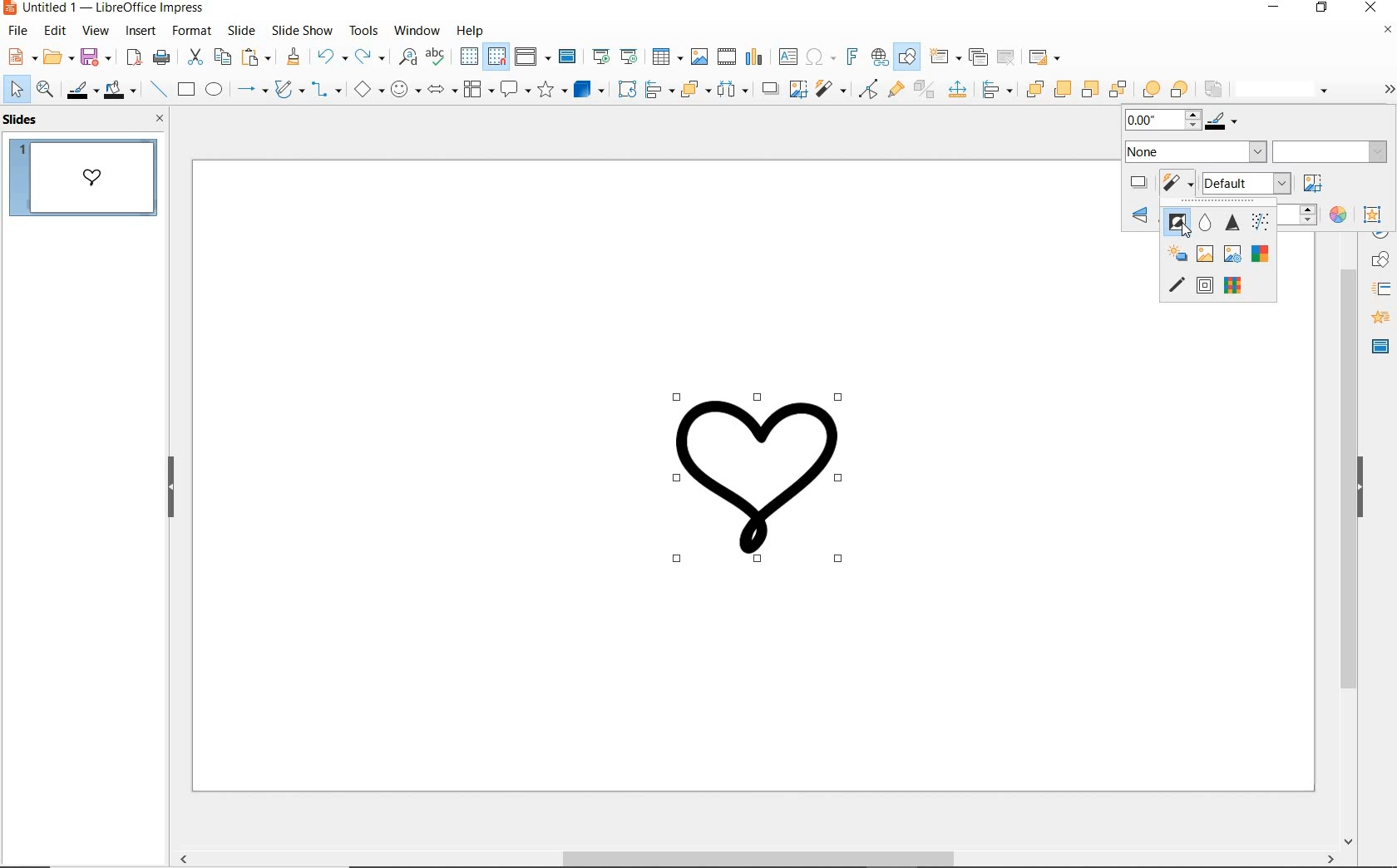 The height and width of the screenshot is (868, 1397). What do you see at coordinates (629, 57) in the screenshot?
I see `start from current slide` at bounding box center [629, 57].